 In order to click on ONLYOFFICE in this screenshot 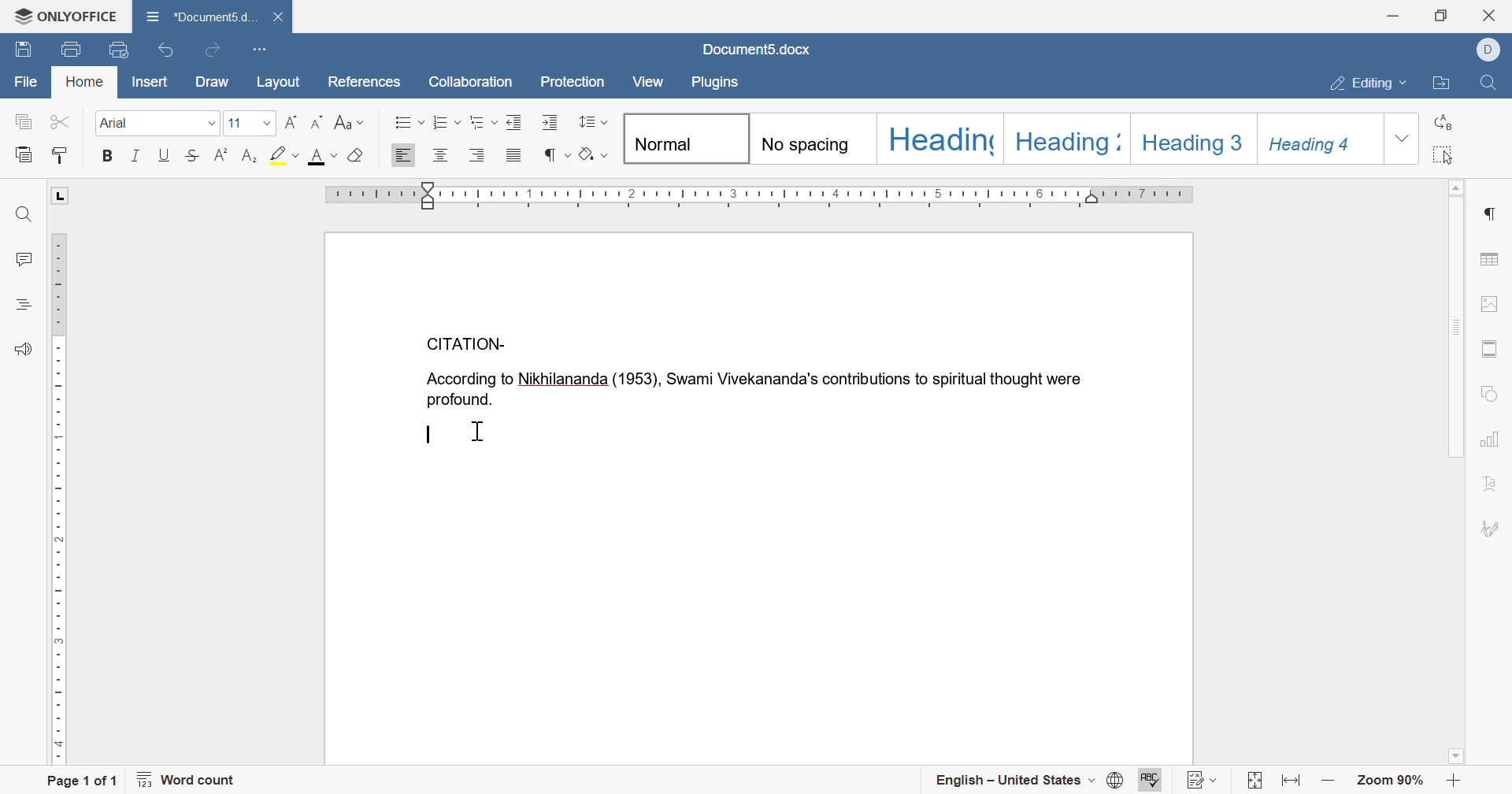, I will do `click(60, 14)`.